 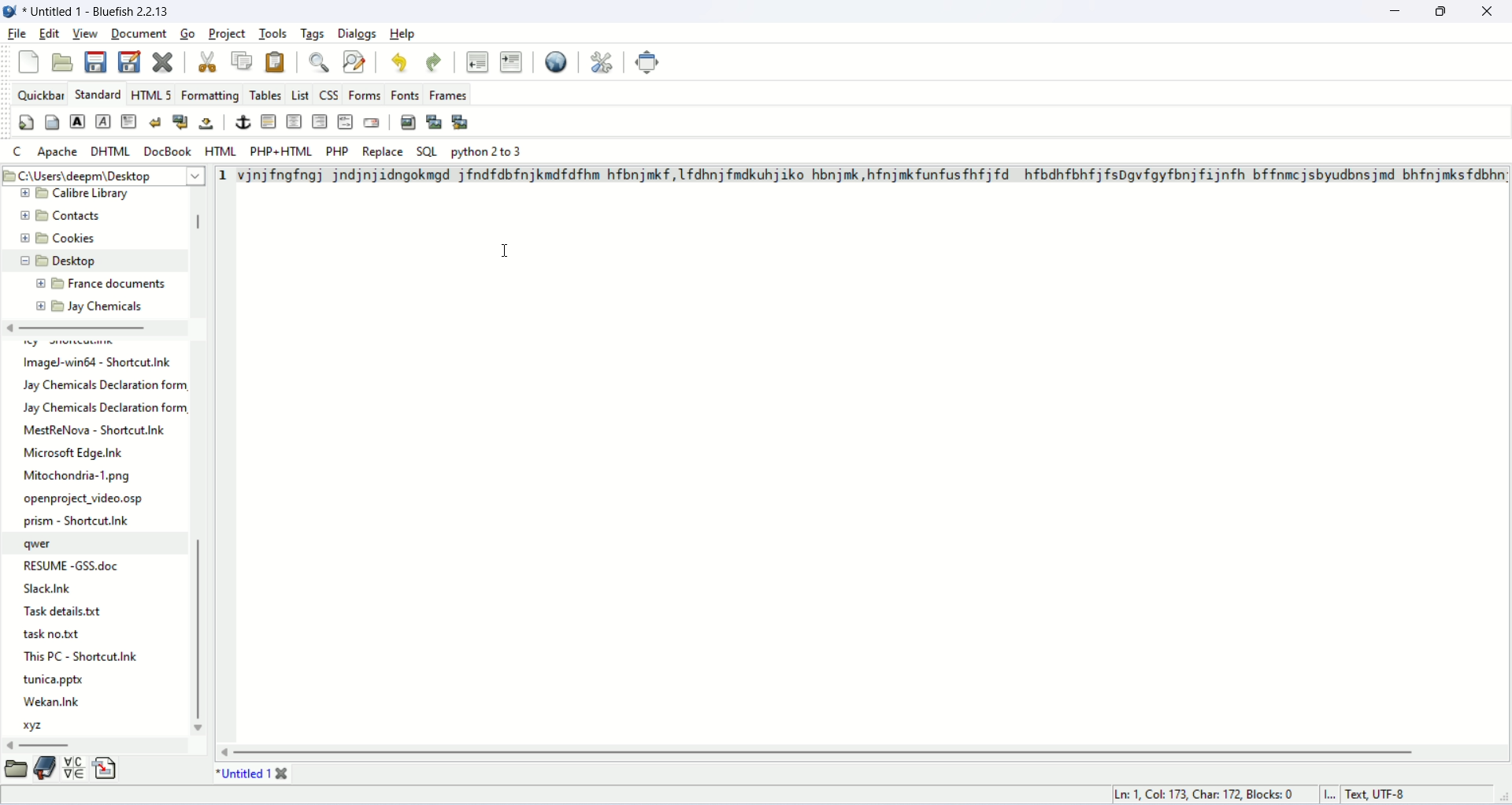 What do you see at coordinates (487, 151) in the screenshot?
I see `python 2 to 3` at bounding box center [487, 151].